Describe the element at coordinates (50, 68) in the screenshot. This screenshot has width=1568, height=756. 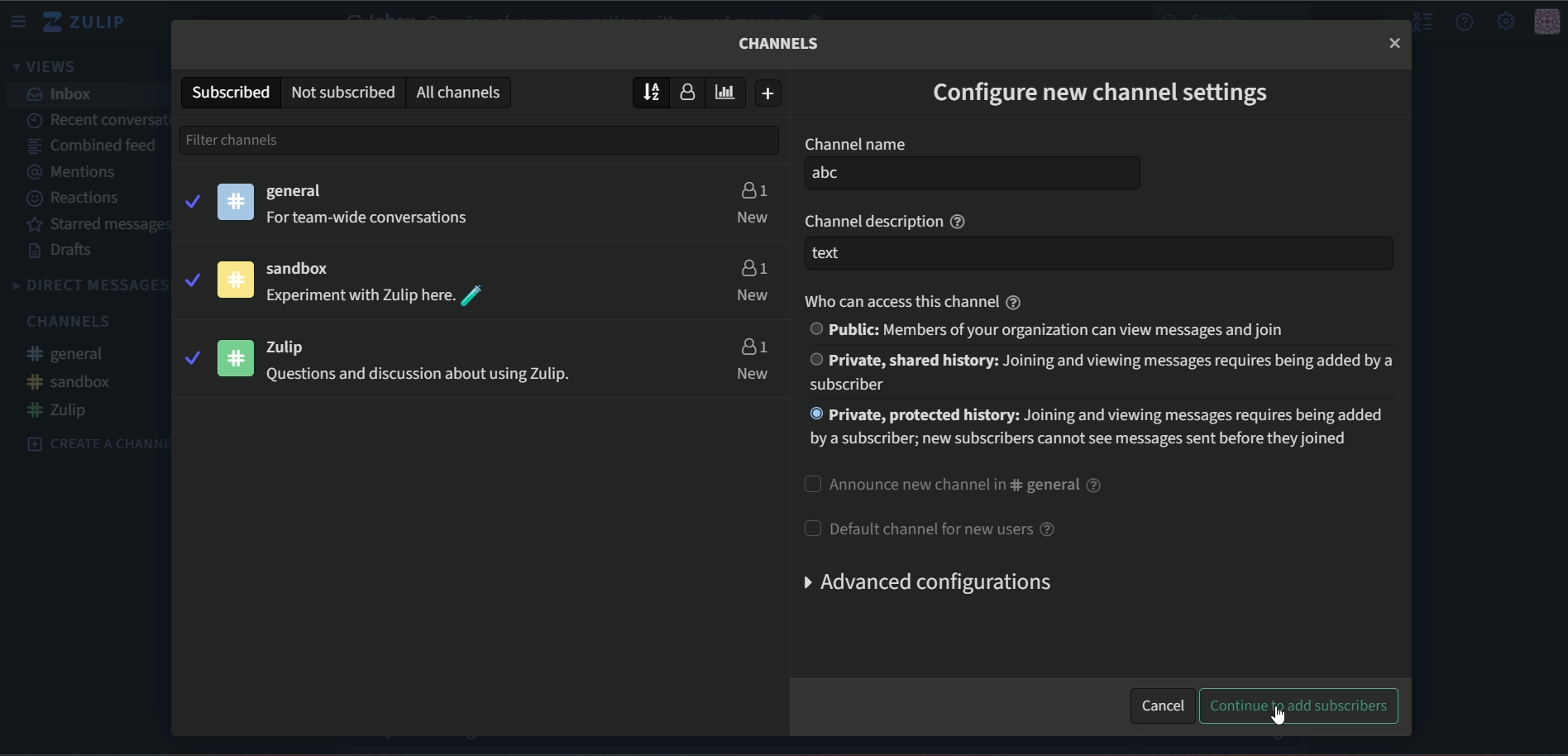
I see `views` at that location.